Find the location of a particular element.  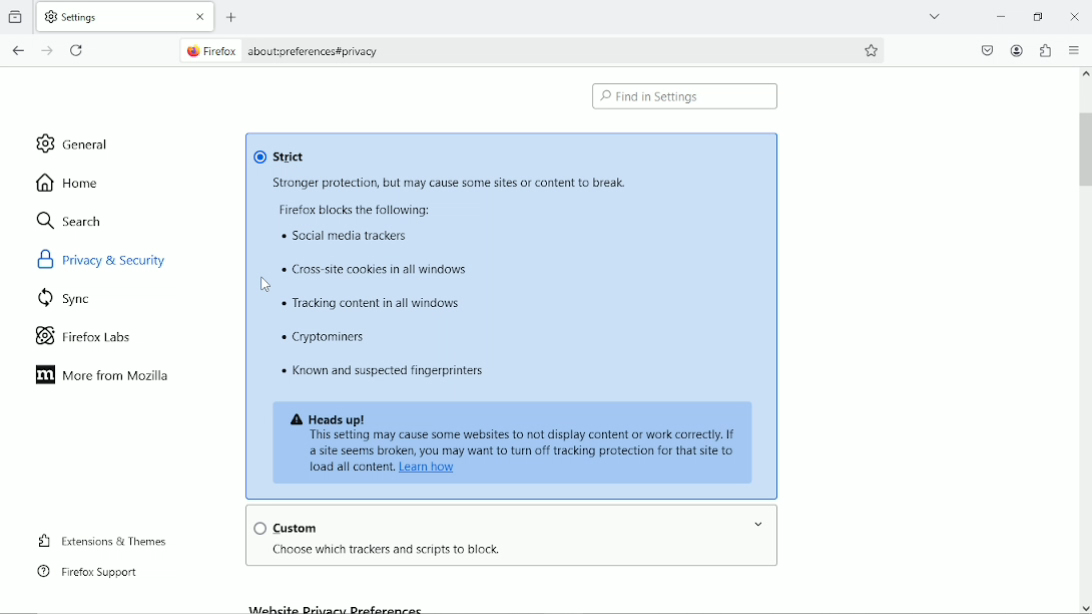

text is located at coordinates (375, 270).